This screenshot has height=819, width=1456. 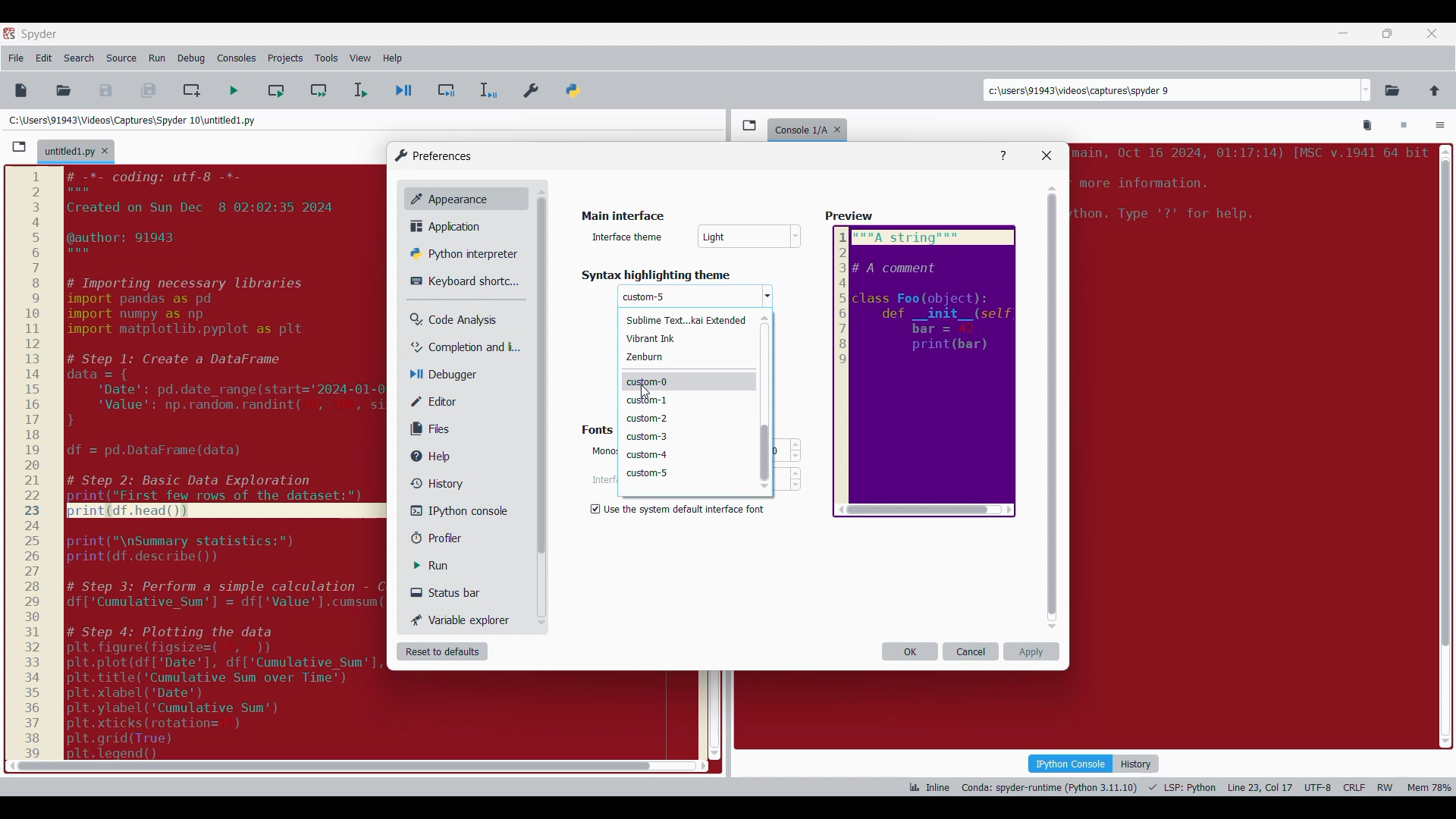 I want to click on Browse tabs, so click(x=749, y=125).